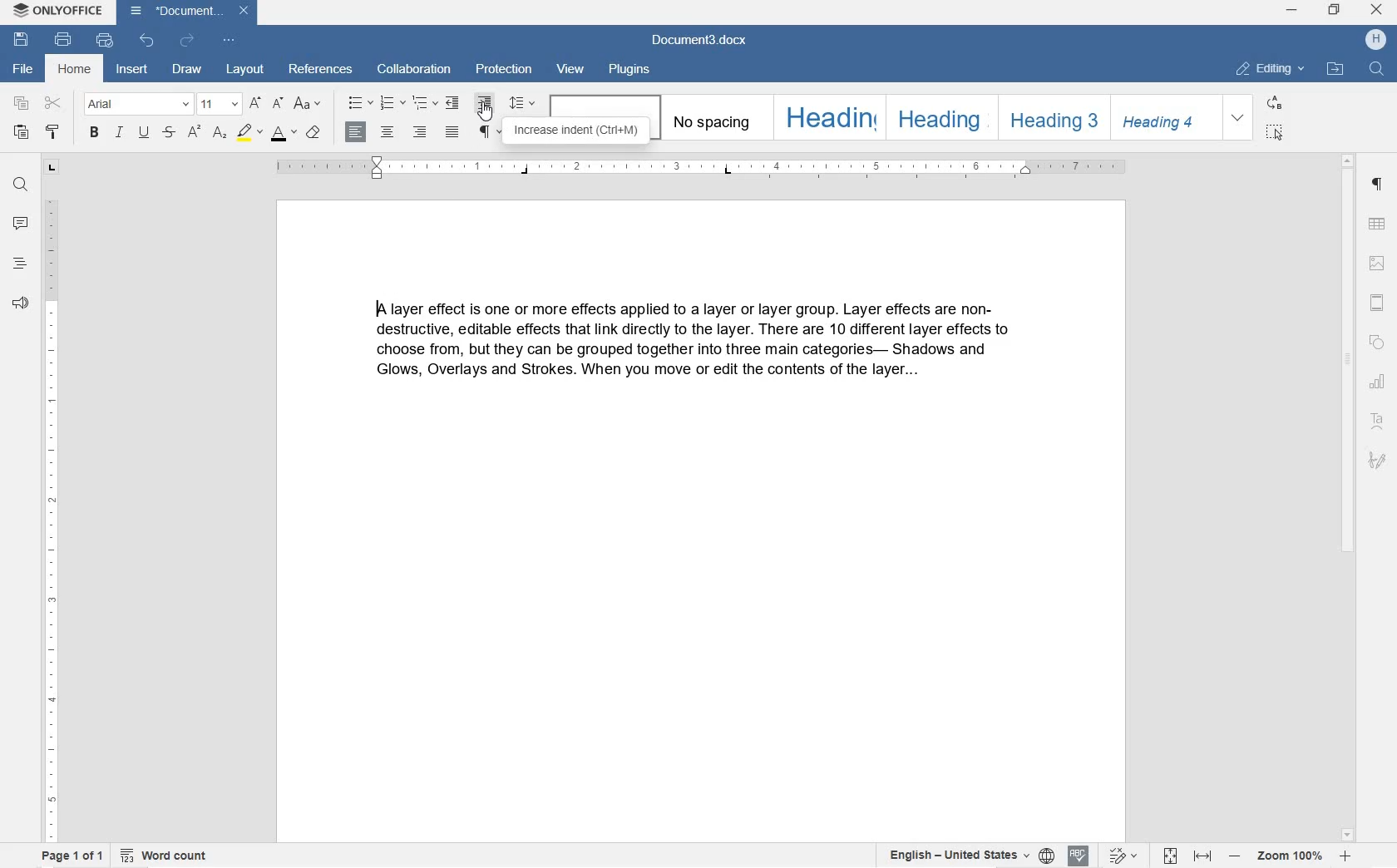 This screenshot has height=868, width=1397. I want to click on EFERENCES, so click(321, 69).